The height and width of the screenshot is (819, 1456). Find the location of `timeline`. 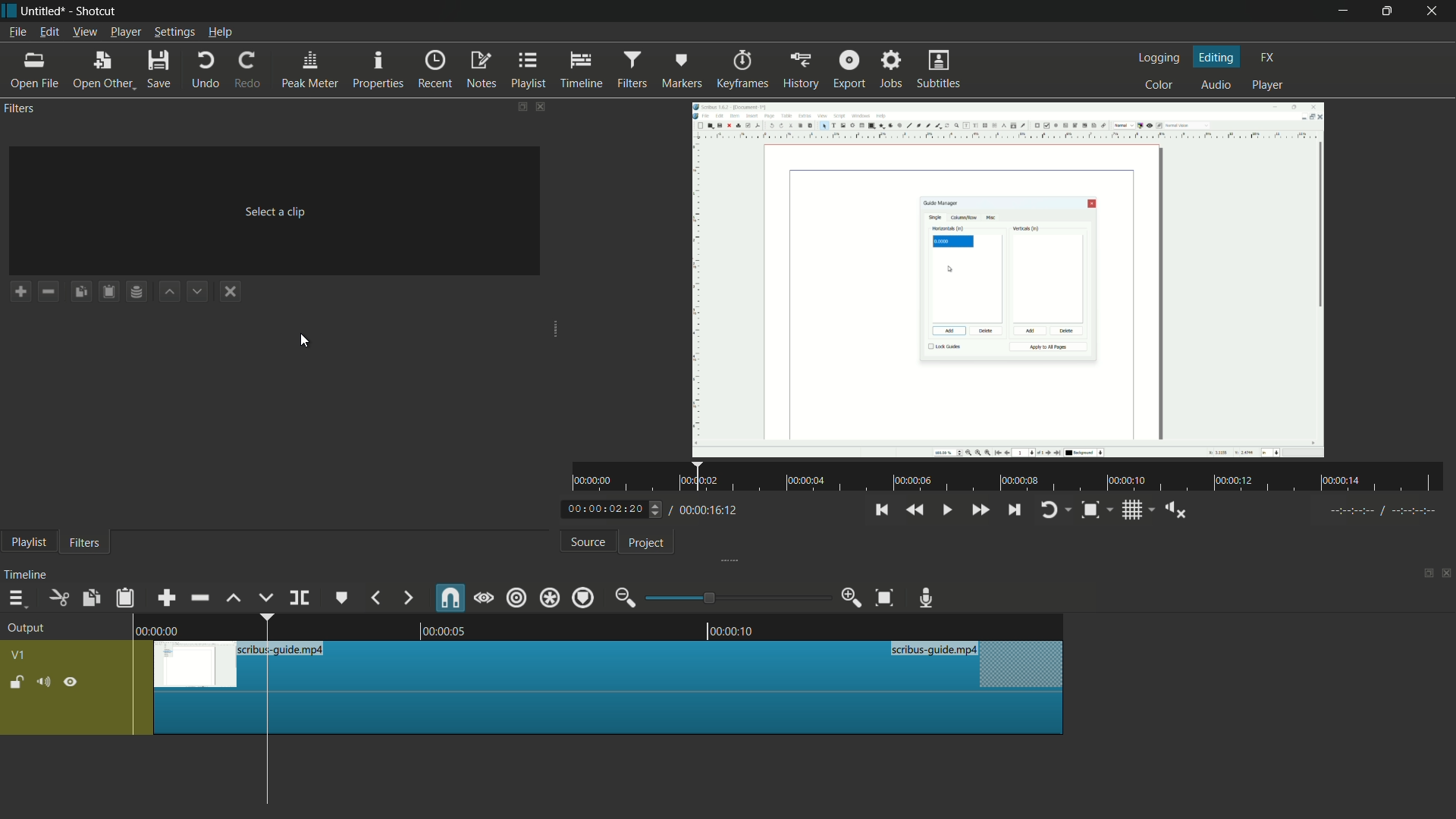

timeline is located at coordinates (26, 575).